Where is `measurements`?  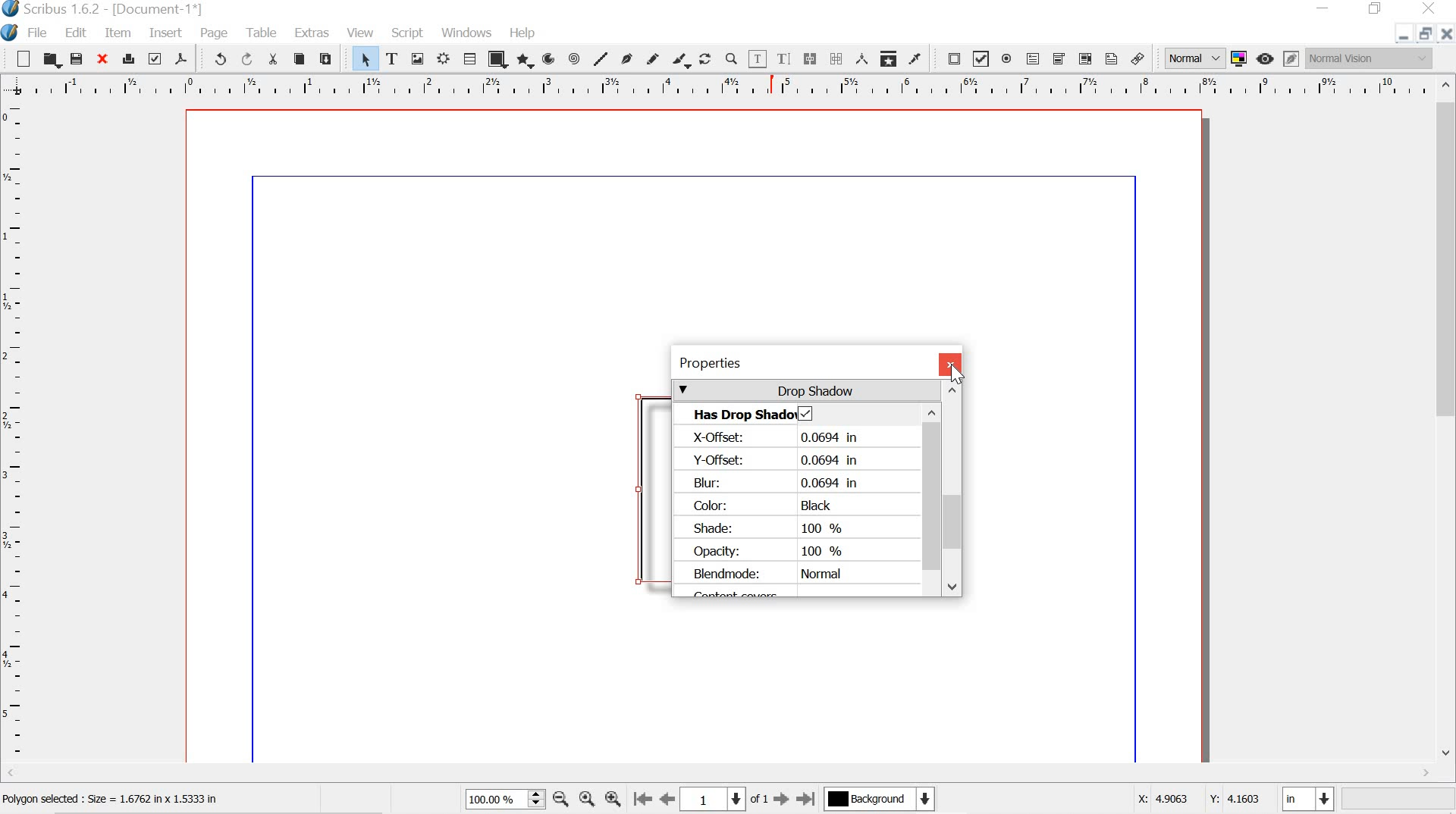
measurements is located at coordinates (859, 58).